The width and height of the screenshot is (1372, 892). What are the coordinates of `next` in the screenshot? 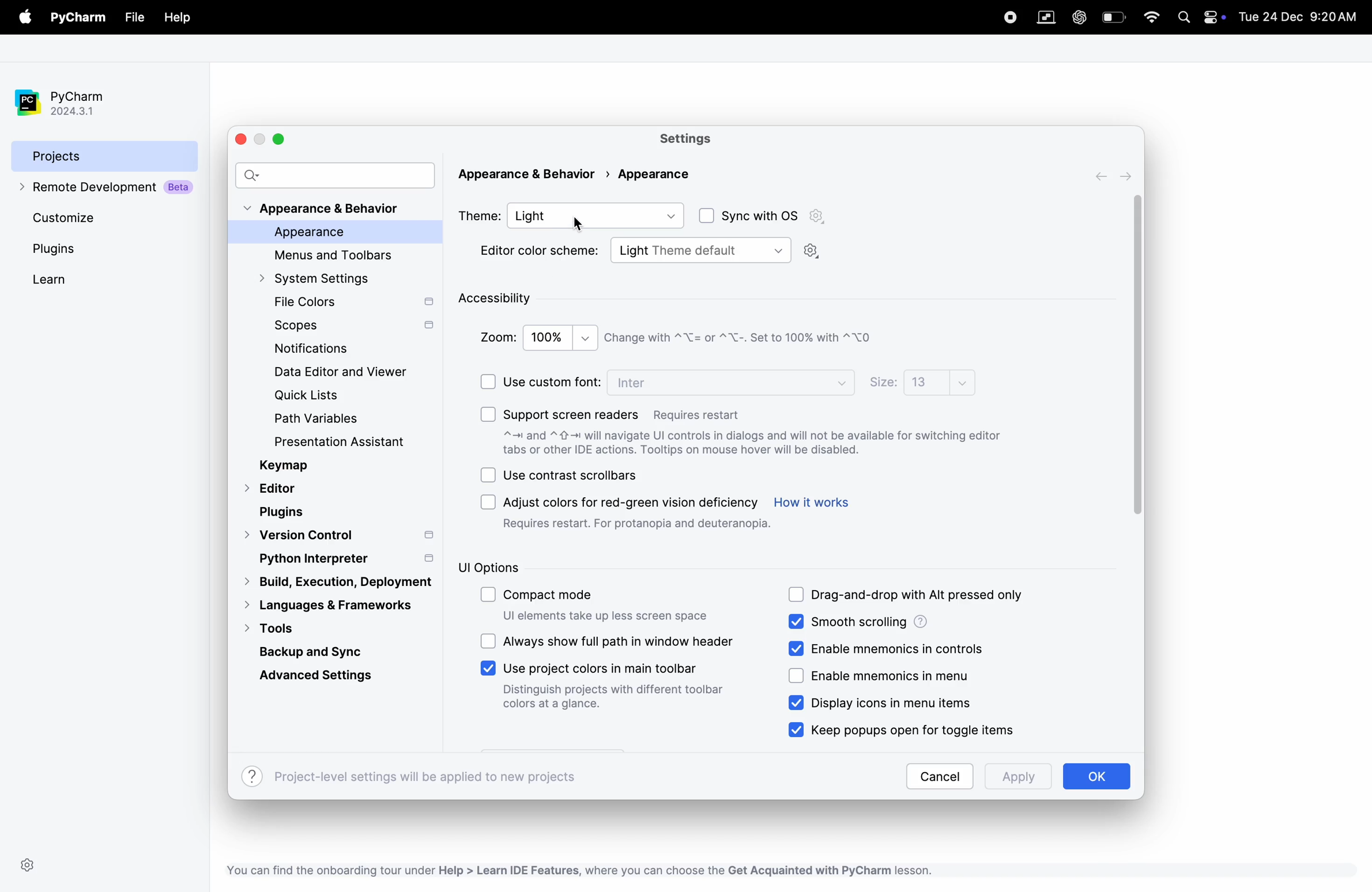 It's located at (1128, 176).